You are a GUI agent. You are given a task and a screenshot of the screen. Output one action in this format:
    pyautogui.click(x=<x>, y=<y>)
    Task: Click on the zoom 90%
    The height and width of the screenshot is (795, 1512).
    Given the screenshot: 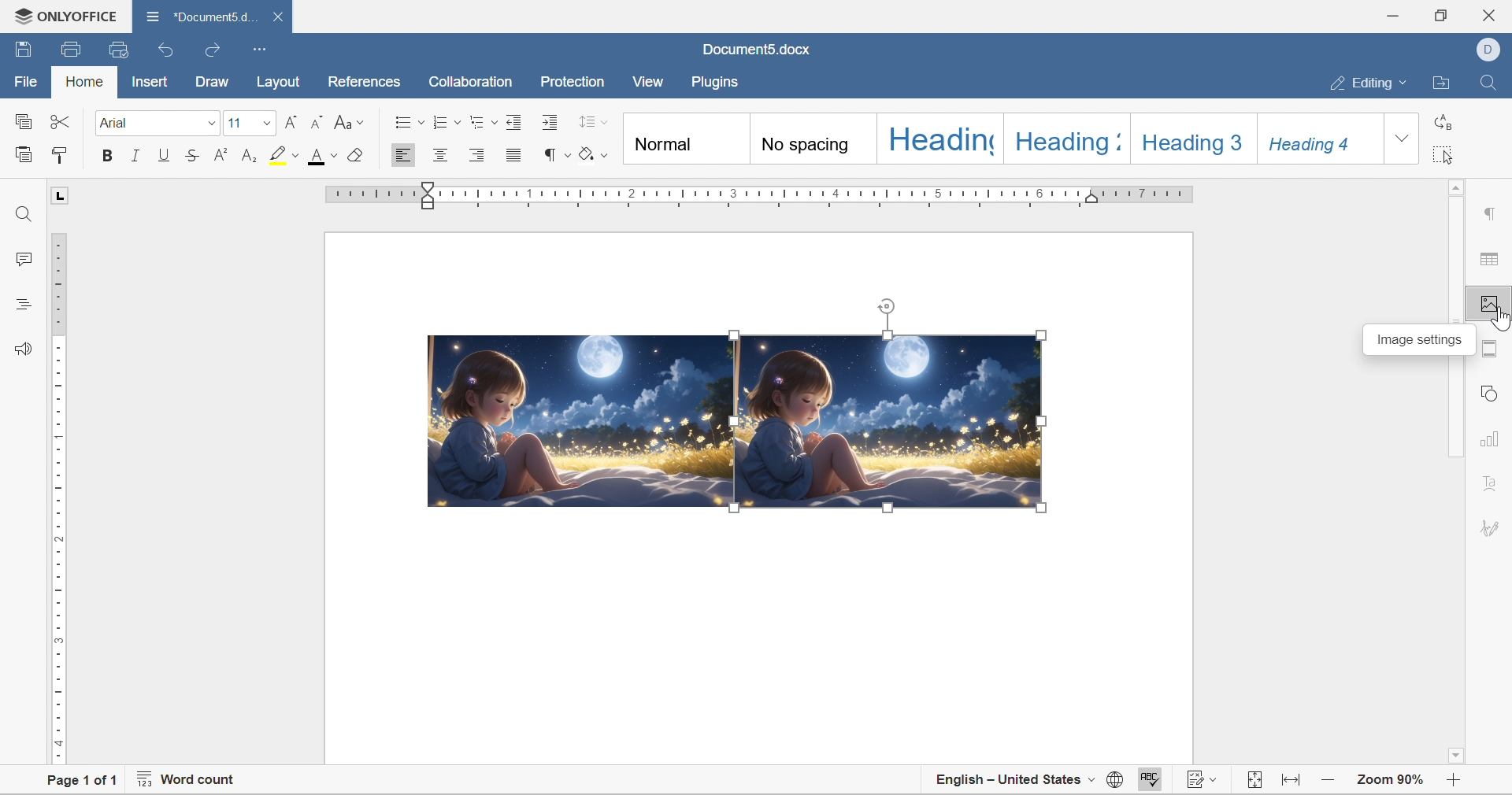 What is the action you would take?
    pyautogui.click(x=1392, y=780)
    